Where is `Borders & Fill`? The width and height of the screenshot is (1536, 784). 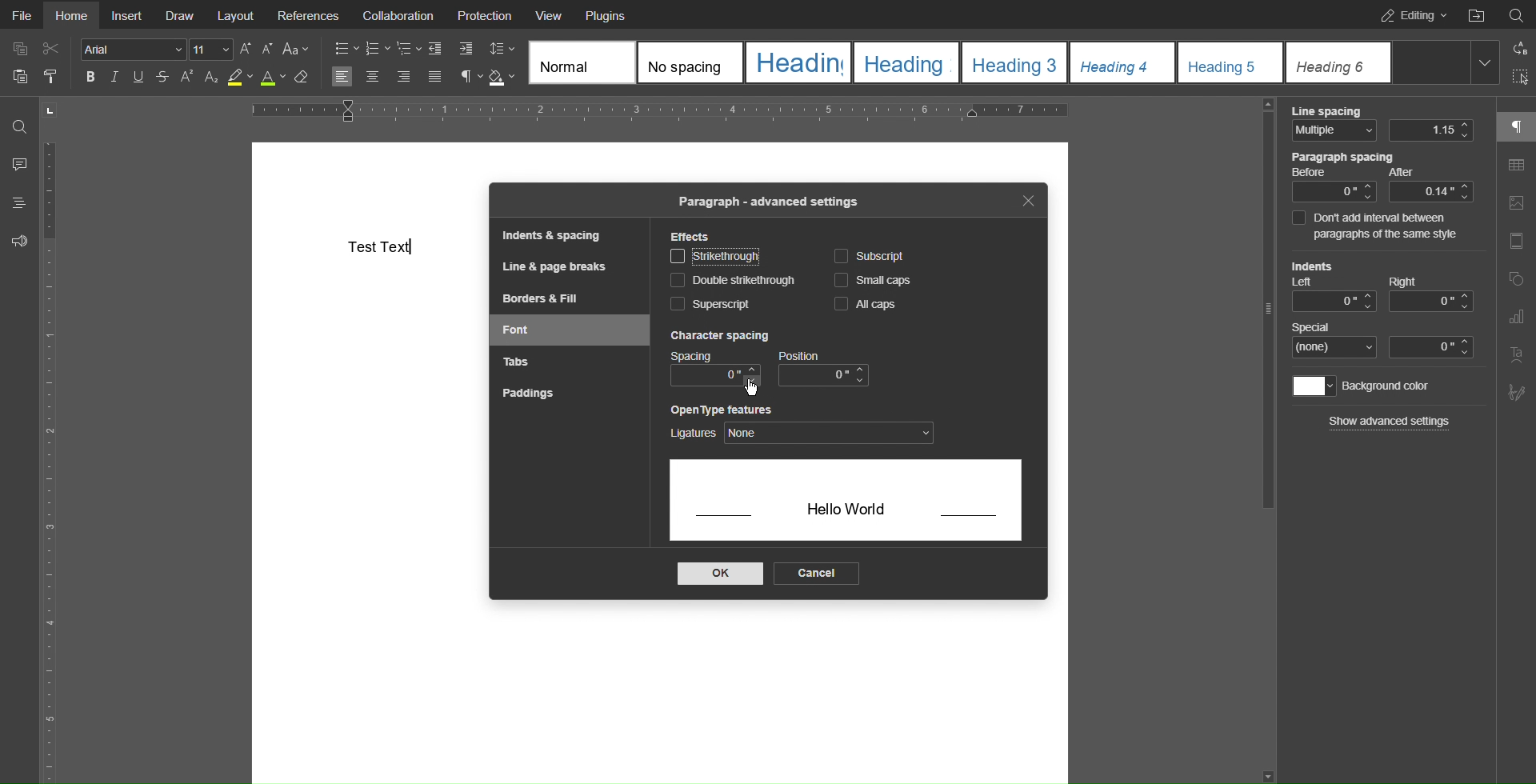 Borders & Fill is located at coordinates (542, 298).